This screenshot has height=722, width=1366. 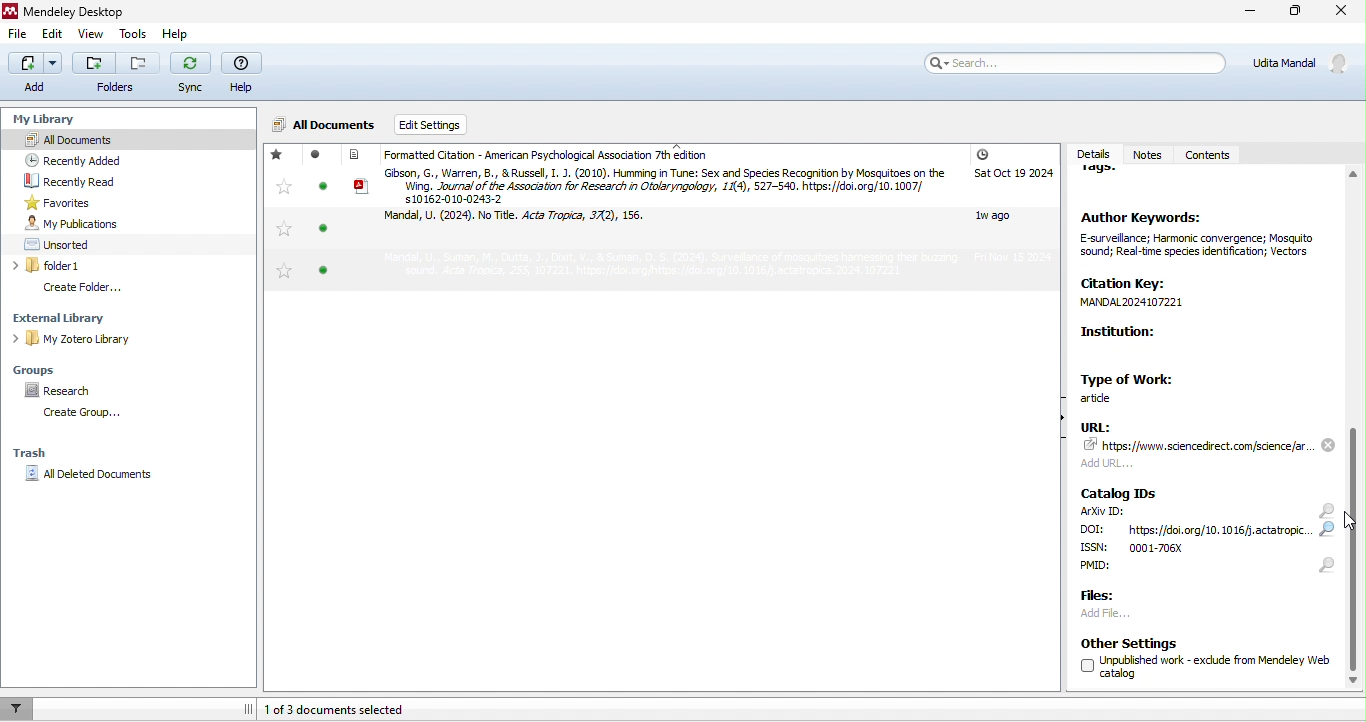 I want to click on DOI, so click(x=1198, y=530).